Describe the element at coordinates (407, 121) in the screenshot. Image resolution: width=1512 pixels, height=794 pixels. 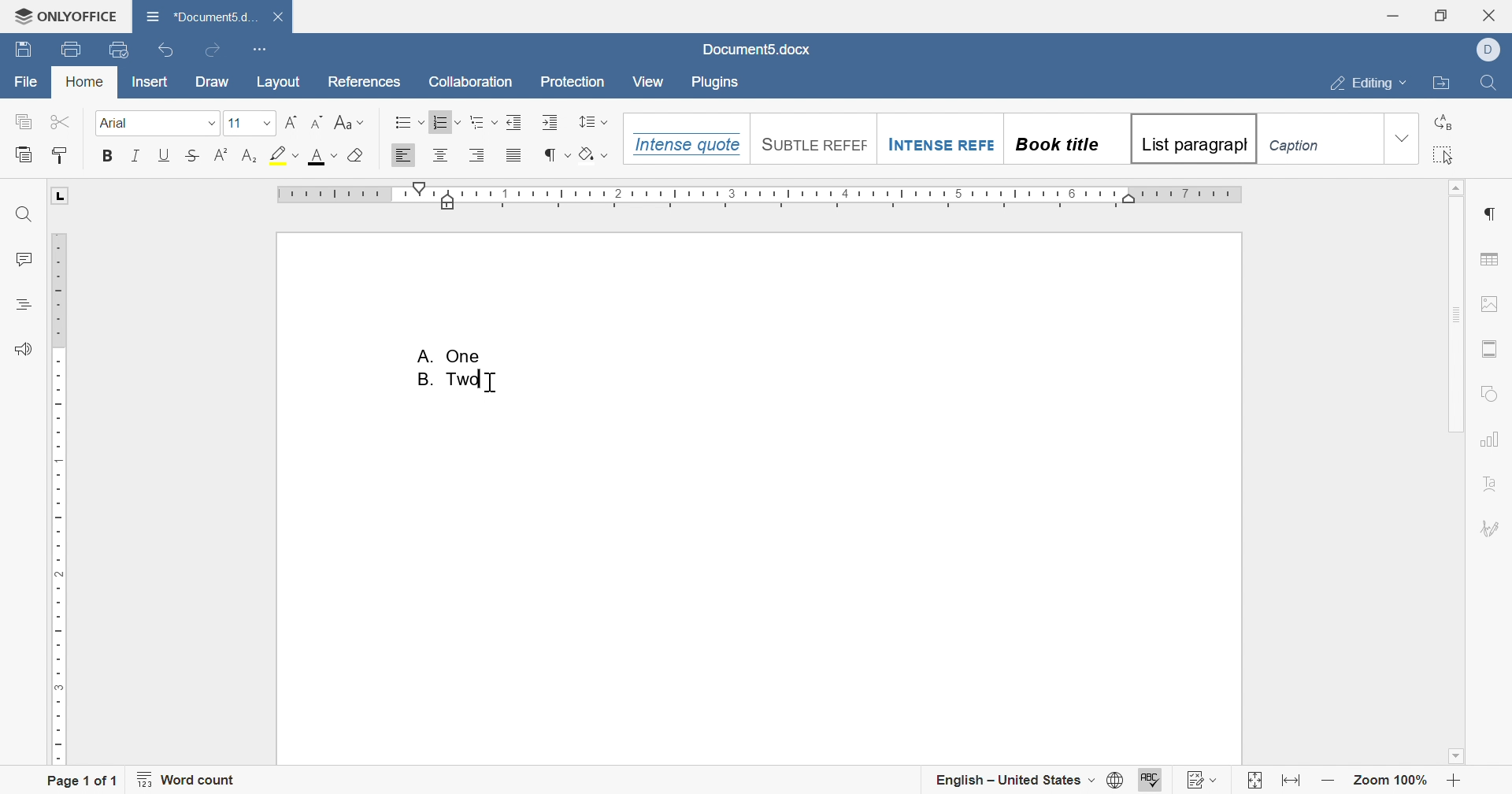
I see `Bullets` at that location.